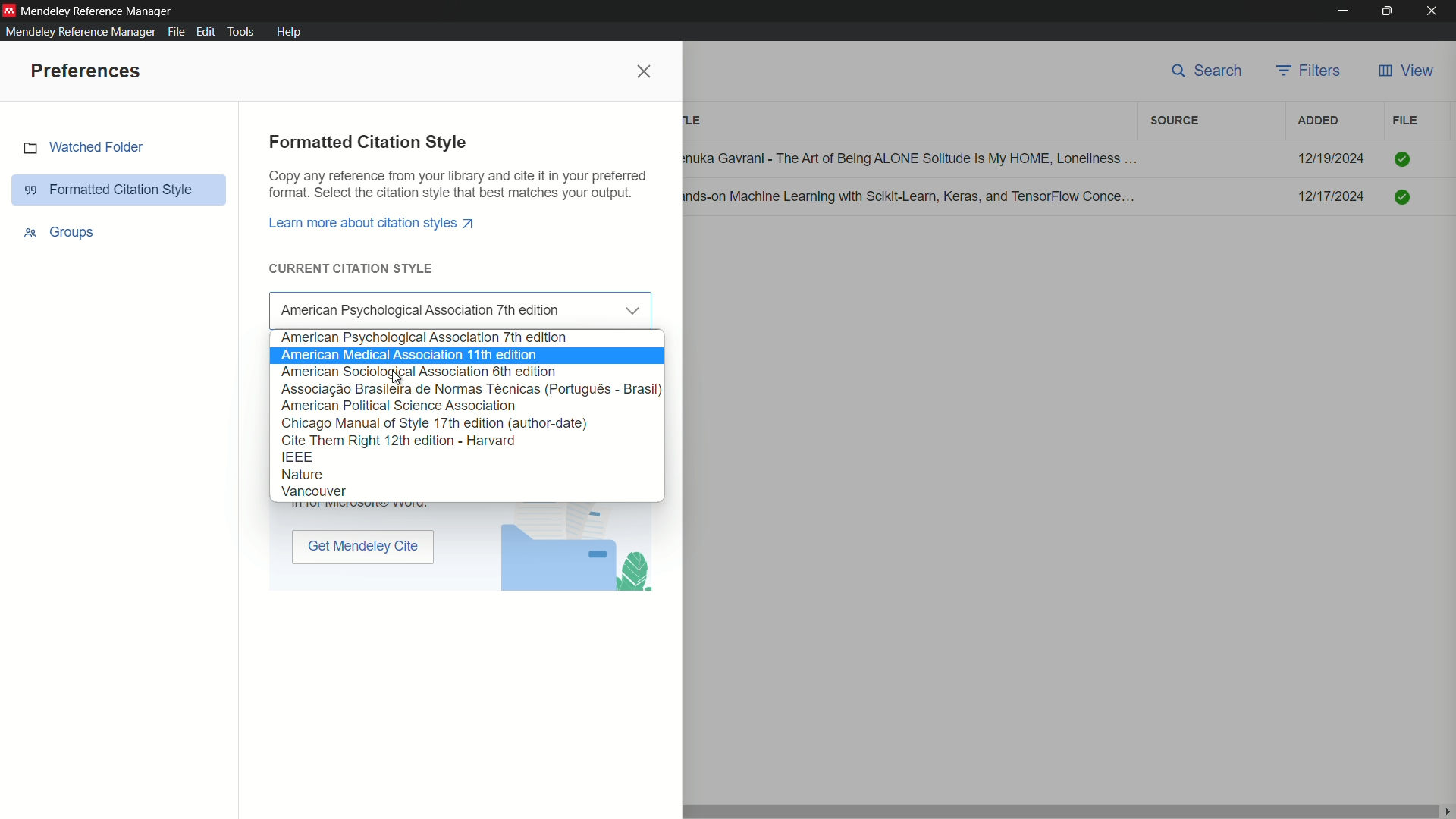 Image resolution: width=1456 pixels, height=819 pixels. Describe the element at coordinates (368, 143) in the screenshot. I see `formatted citation style` at that location.